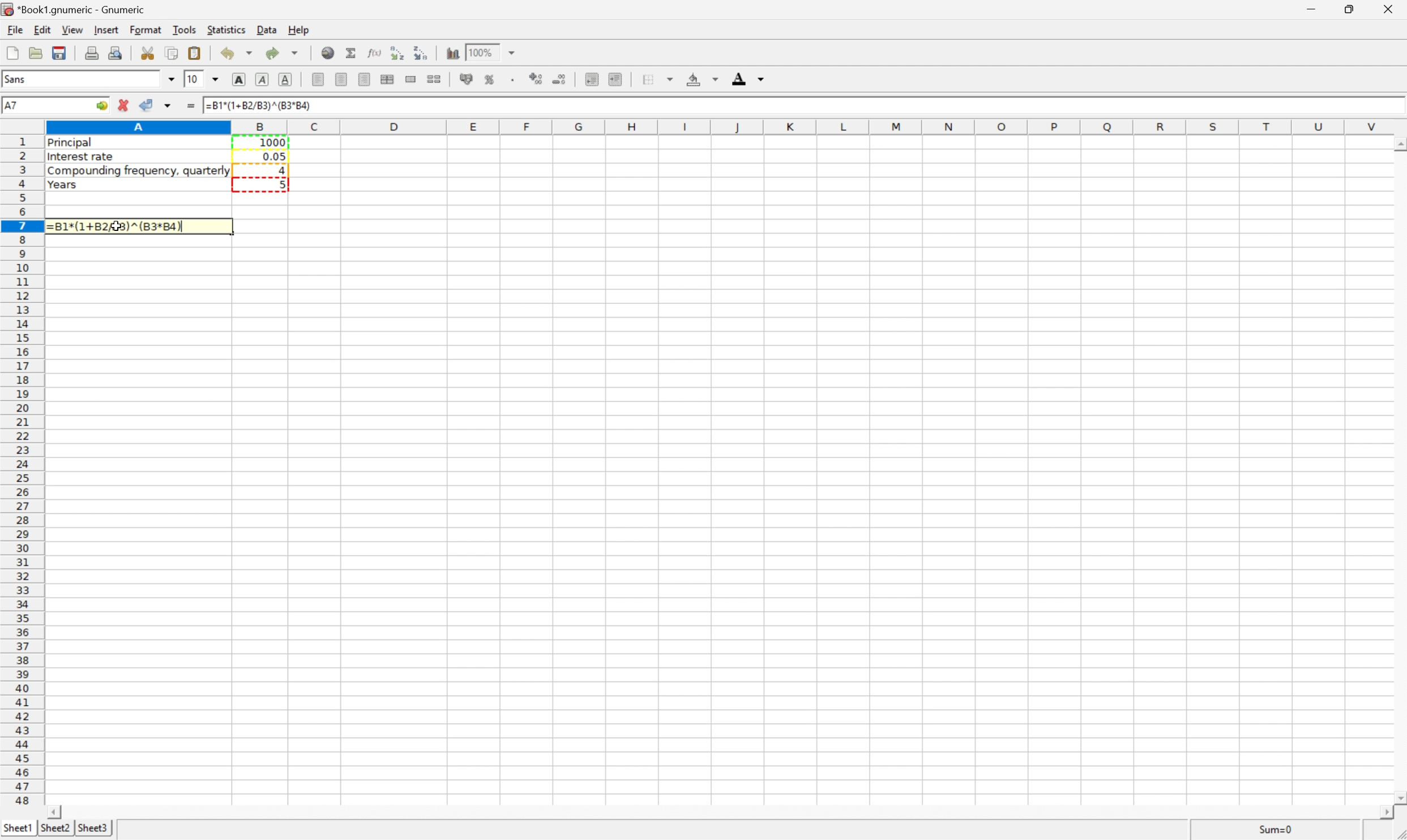 This screenshot has height=840, width=1407. Describe the element at coordinates (57, 832) in the screenshot. I see `sheet2` at that location.